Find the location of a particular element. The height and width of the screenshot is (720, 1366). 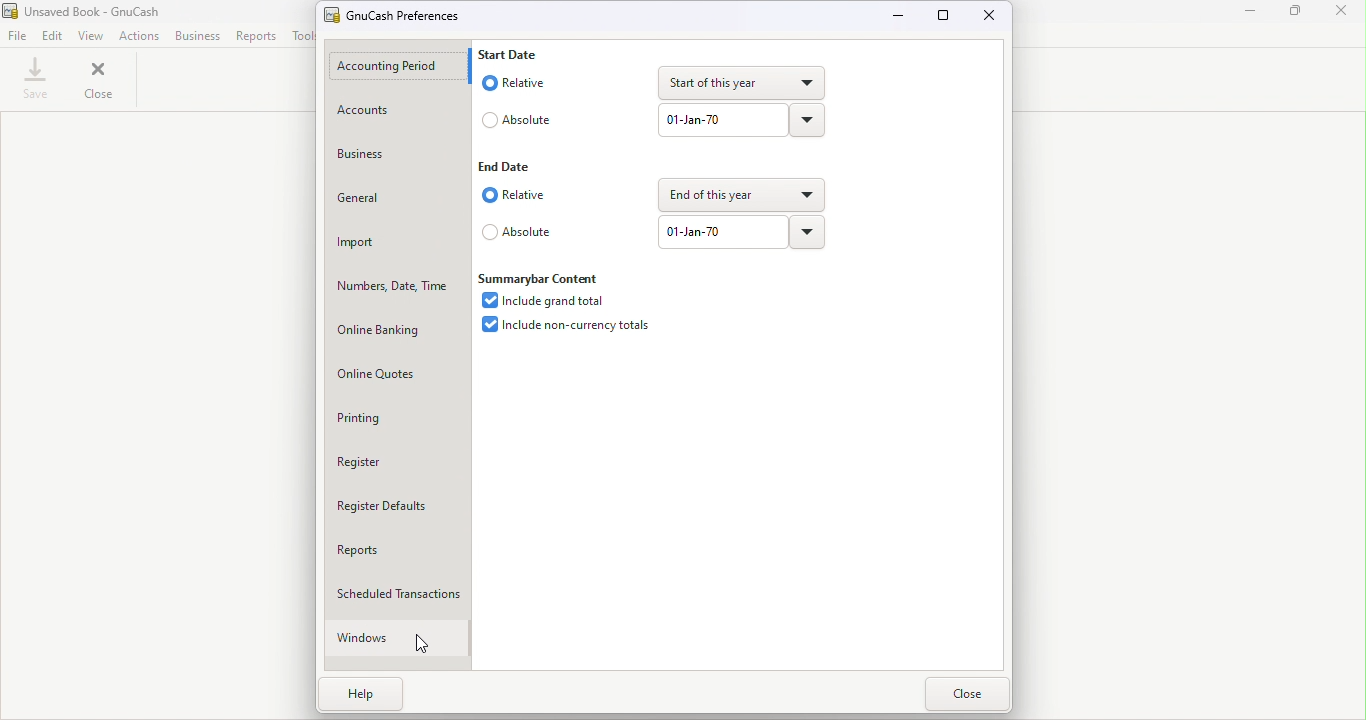

Minimize is located at coordinates (900, 15).